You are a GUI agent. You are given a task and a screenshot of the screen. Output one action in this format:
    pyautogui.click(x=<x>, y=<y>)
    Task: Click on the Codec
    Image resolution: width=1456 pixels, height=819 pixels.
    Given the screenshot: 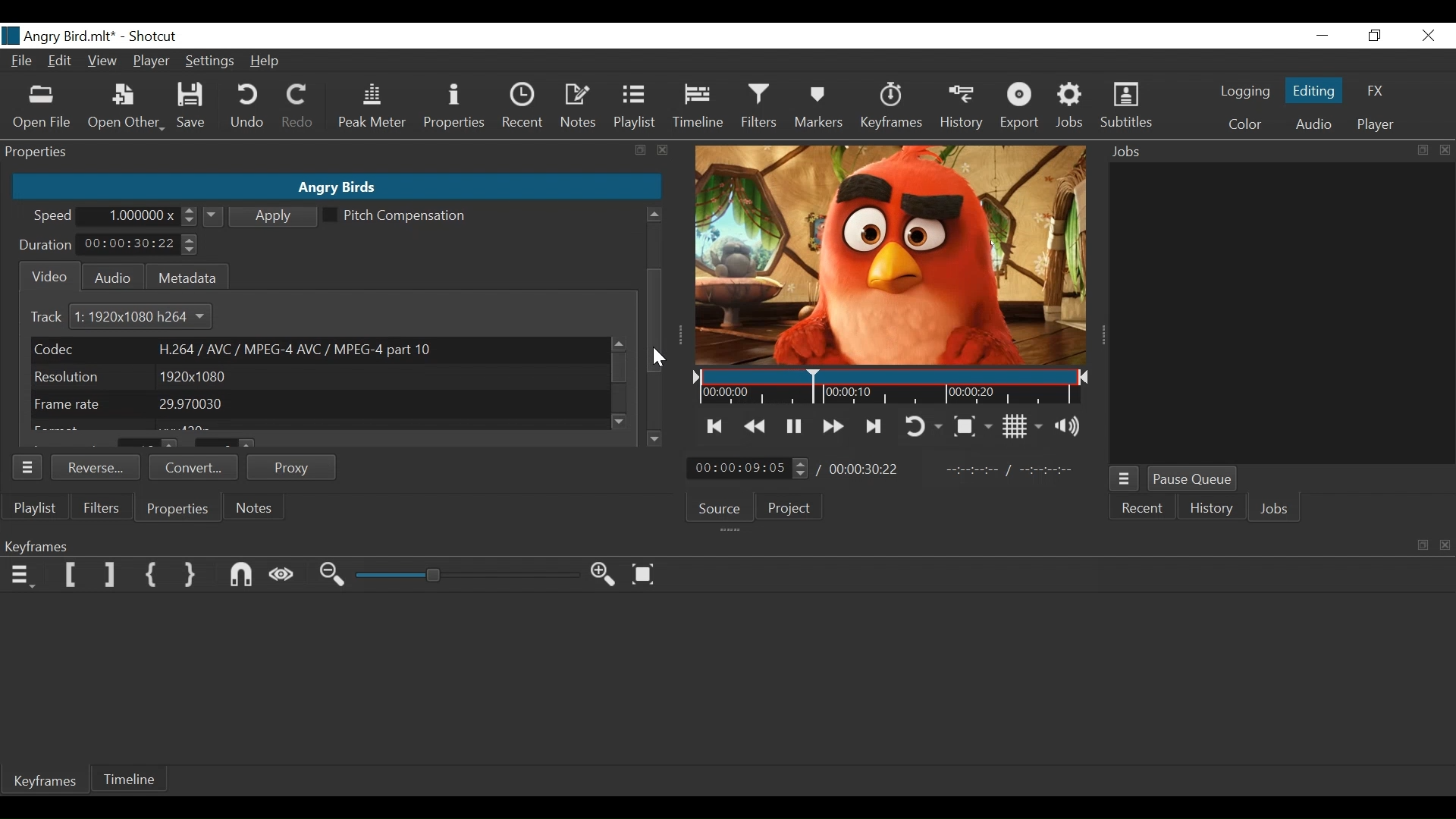 What is the action you would take?
    pyautogui.click(x=317, y=349)
    